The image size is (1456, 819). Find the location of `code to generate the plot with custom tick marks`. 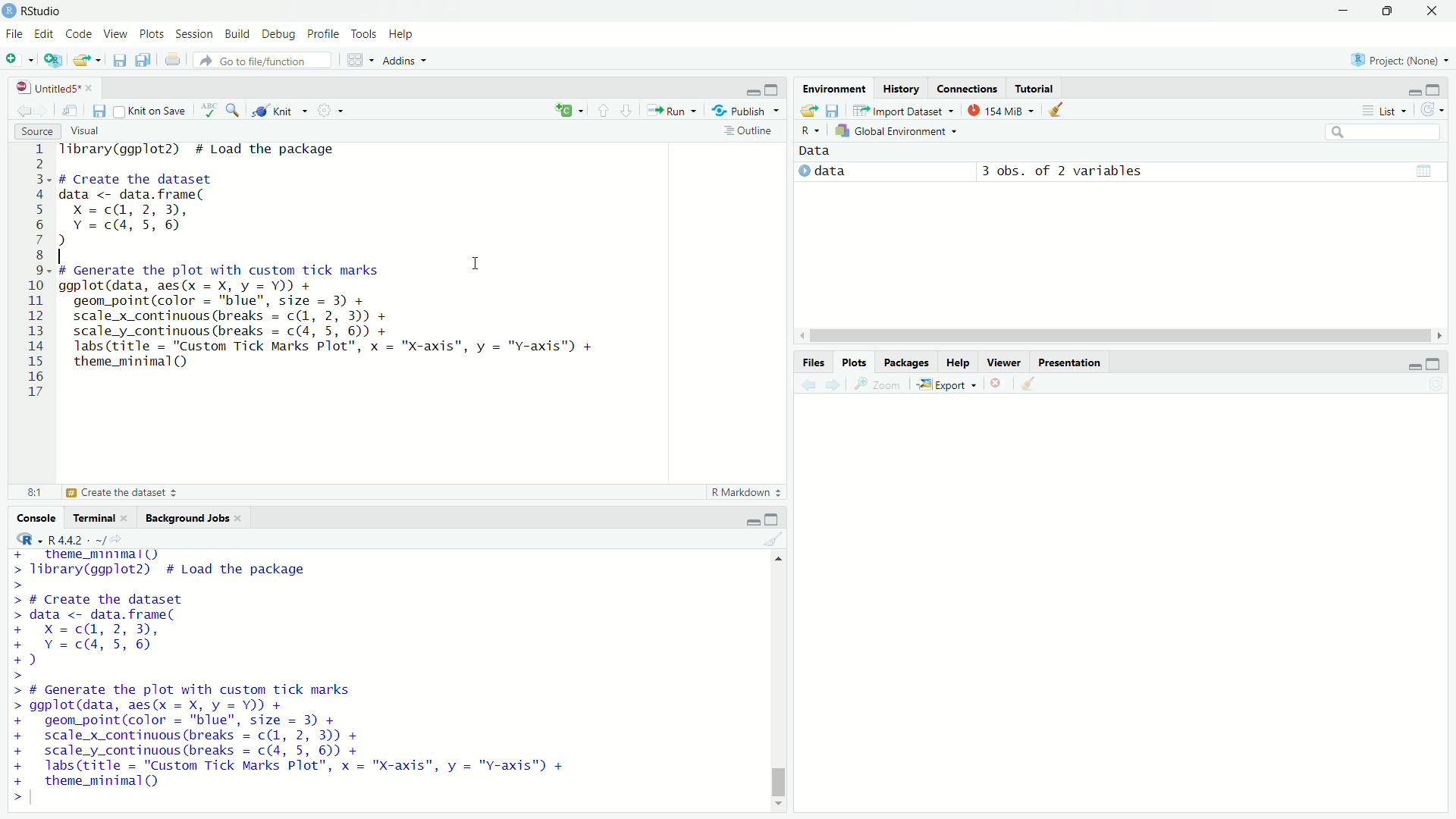

code to generate the plot with custom tick marks is located at coordinates (338, 322).